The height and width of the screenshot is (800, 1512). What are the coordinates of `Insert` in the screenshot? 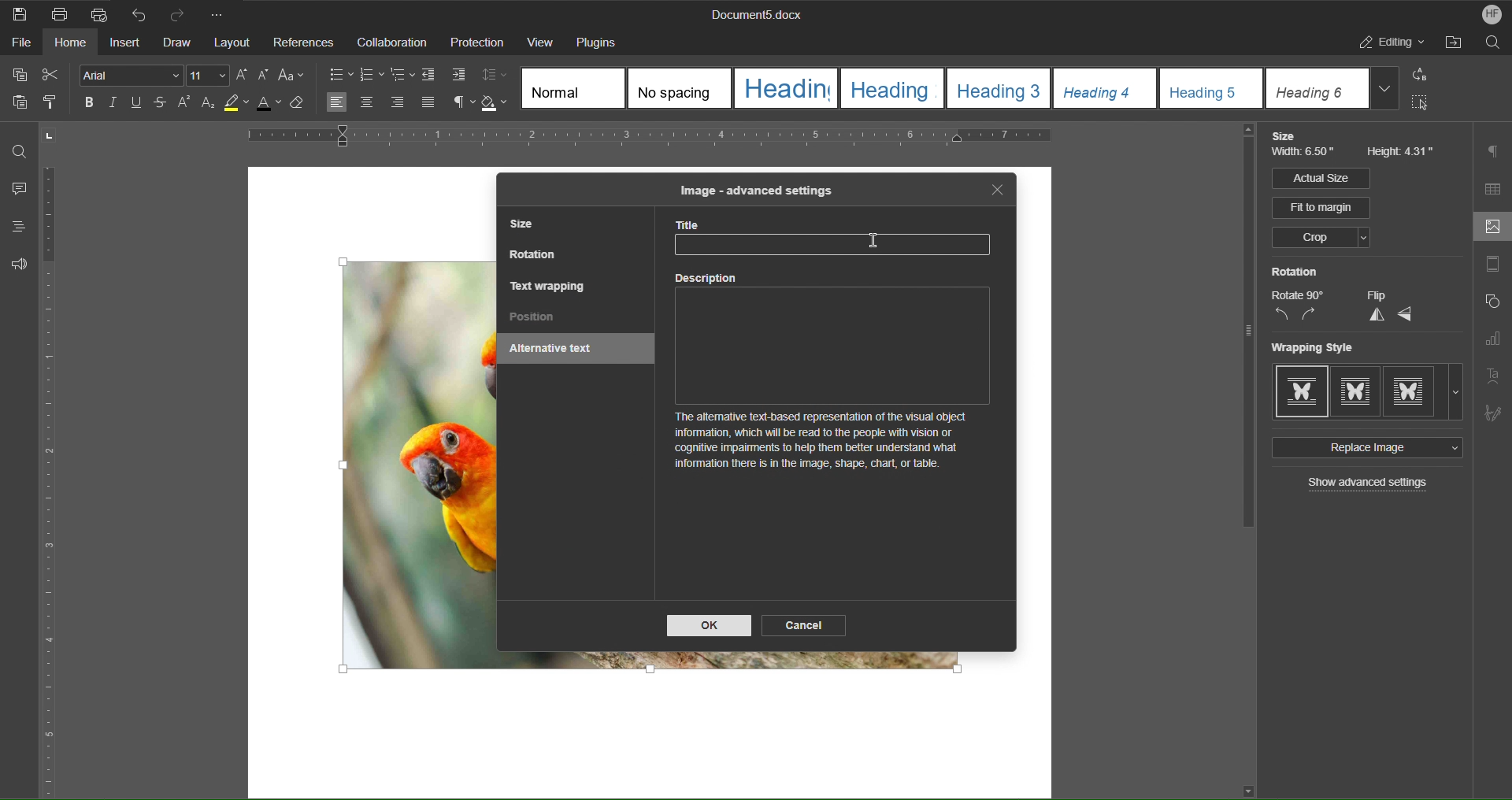 It's located at (127, 44).